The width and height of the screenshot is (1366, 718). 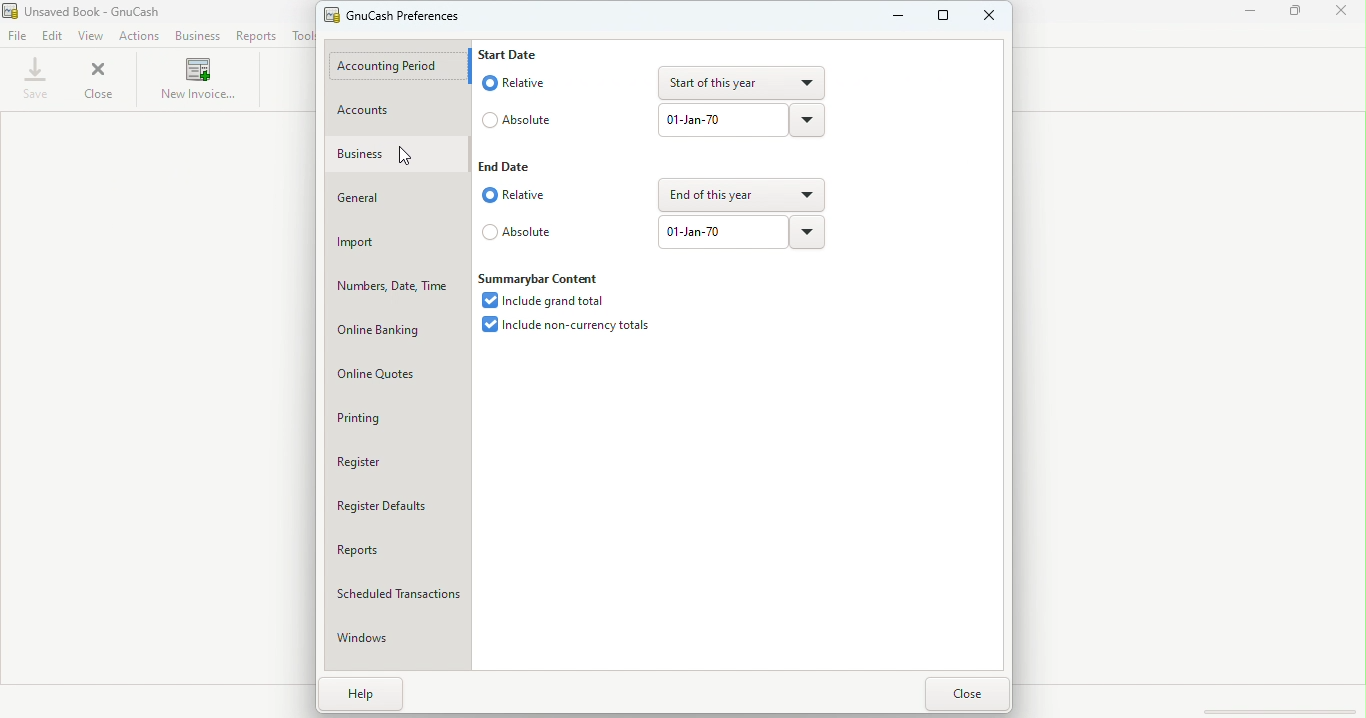 What do you see at coordinates (390, 286) in the screenshot?
I see `Numbers, date, time` at bounding box center [390, 286].